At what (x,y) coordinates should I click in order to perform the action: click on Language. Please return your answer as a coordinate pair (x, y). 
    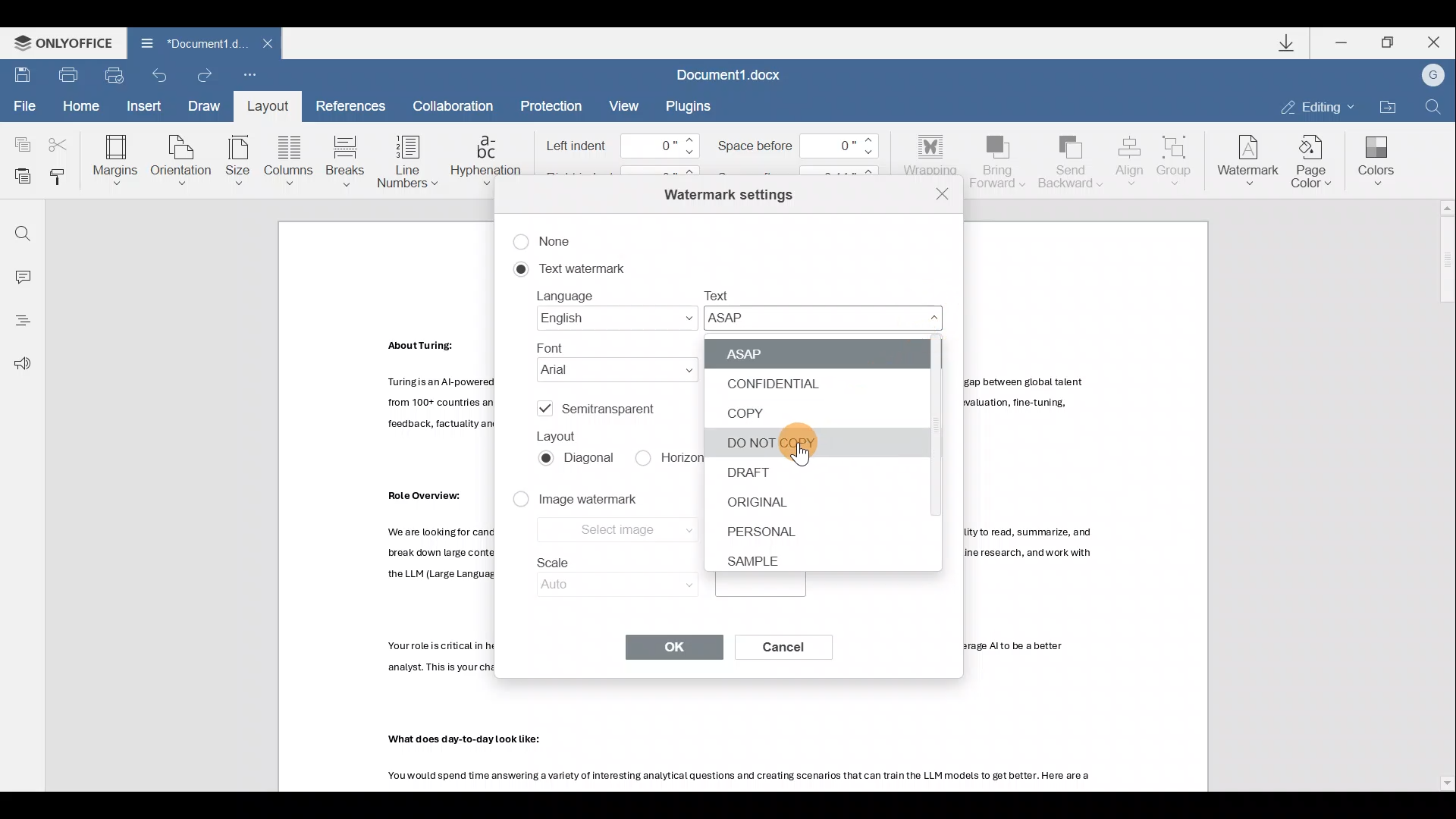
    Looking at the image, I should click on (610, 308).